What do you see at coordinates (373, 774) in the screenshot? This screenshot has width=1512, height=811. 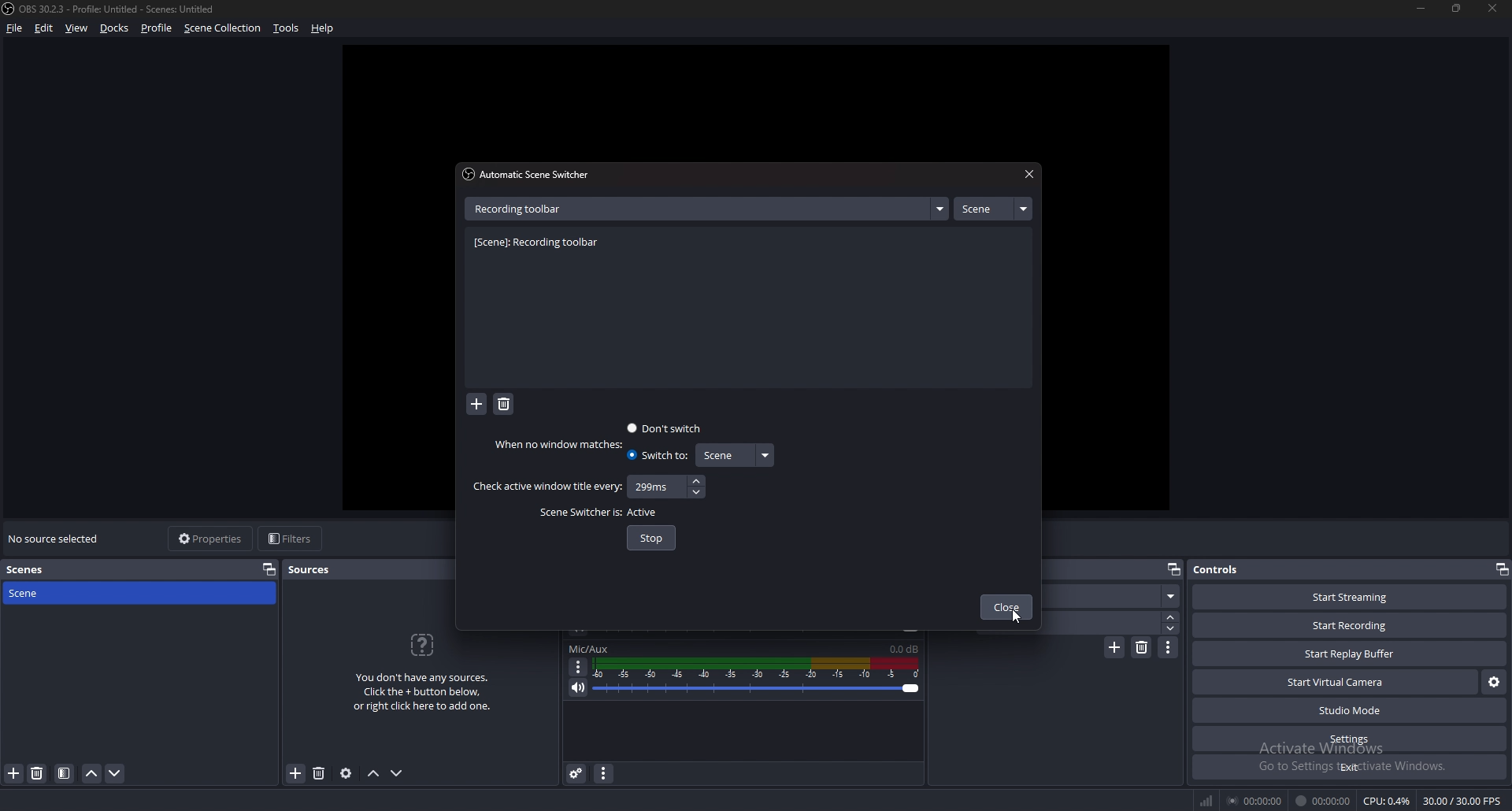 I see `move source up` at bounding box center [373, 774].